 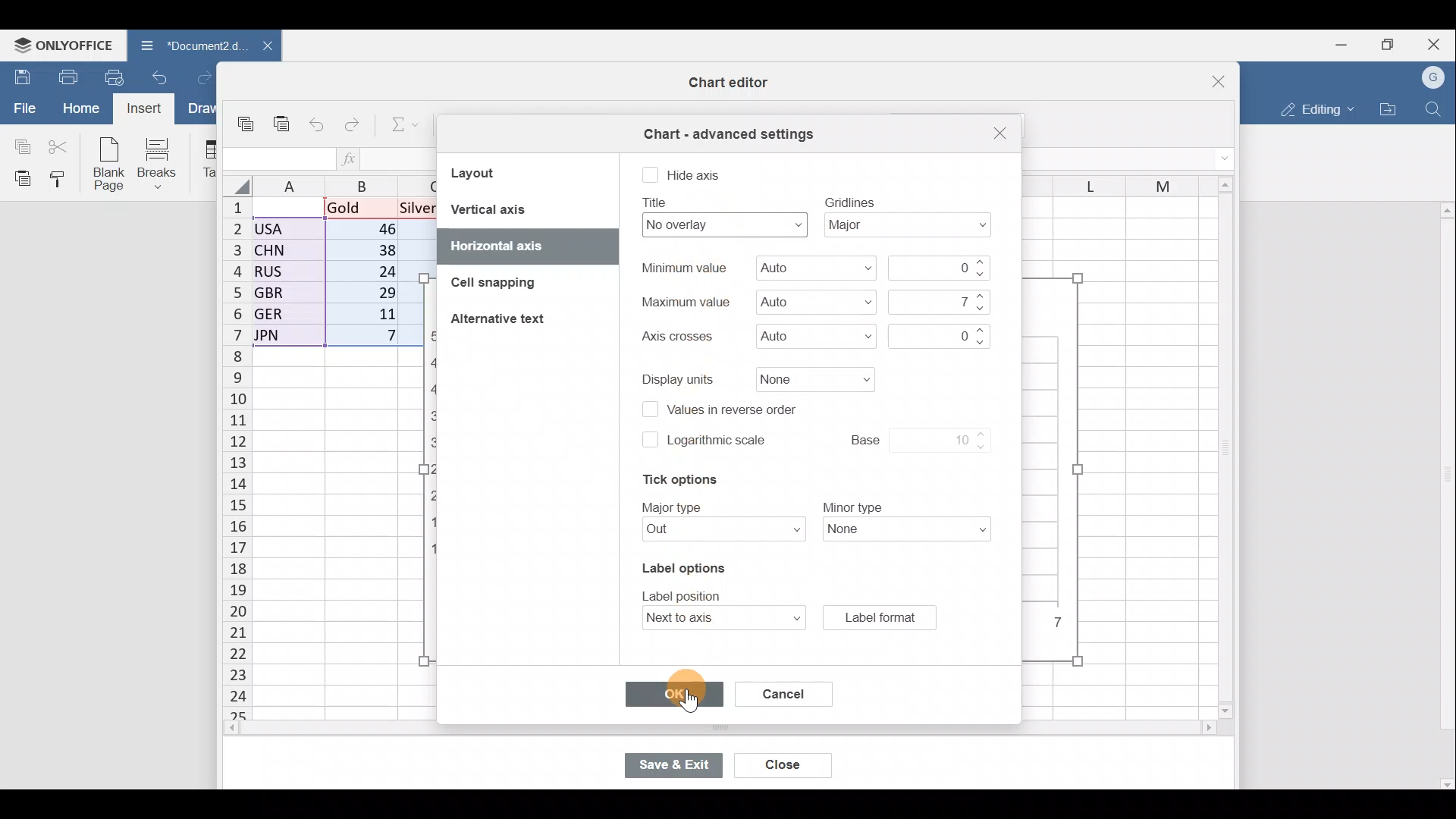 What do you see at coordinates (912, 532) in the screenshot?
I see `Minor type` at bounding box center [912, 532].